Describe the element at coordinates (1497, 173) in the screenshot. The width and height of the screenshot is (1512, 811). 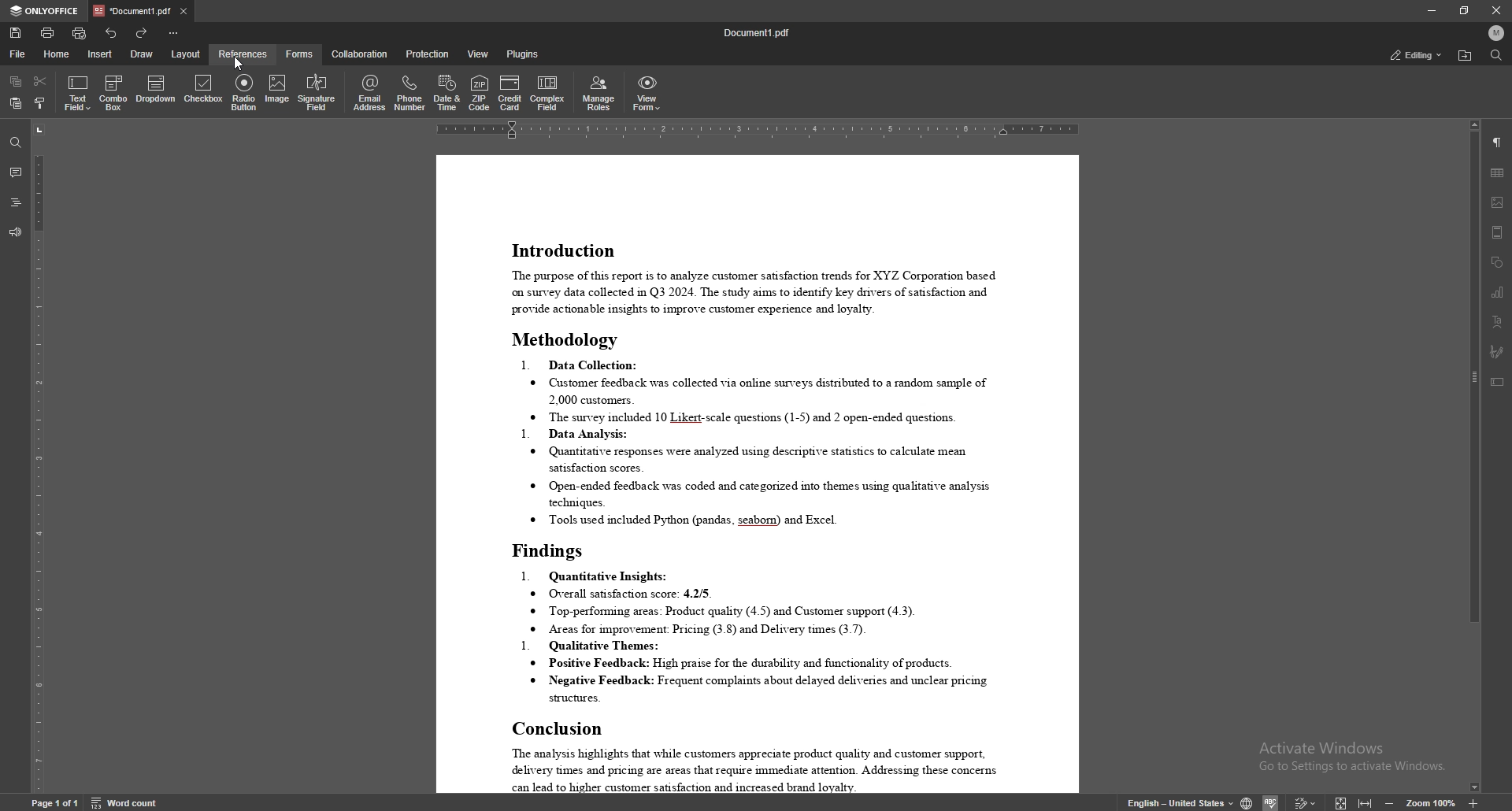
I see `table` at that location.